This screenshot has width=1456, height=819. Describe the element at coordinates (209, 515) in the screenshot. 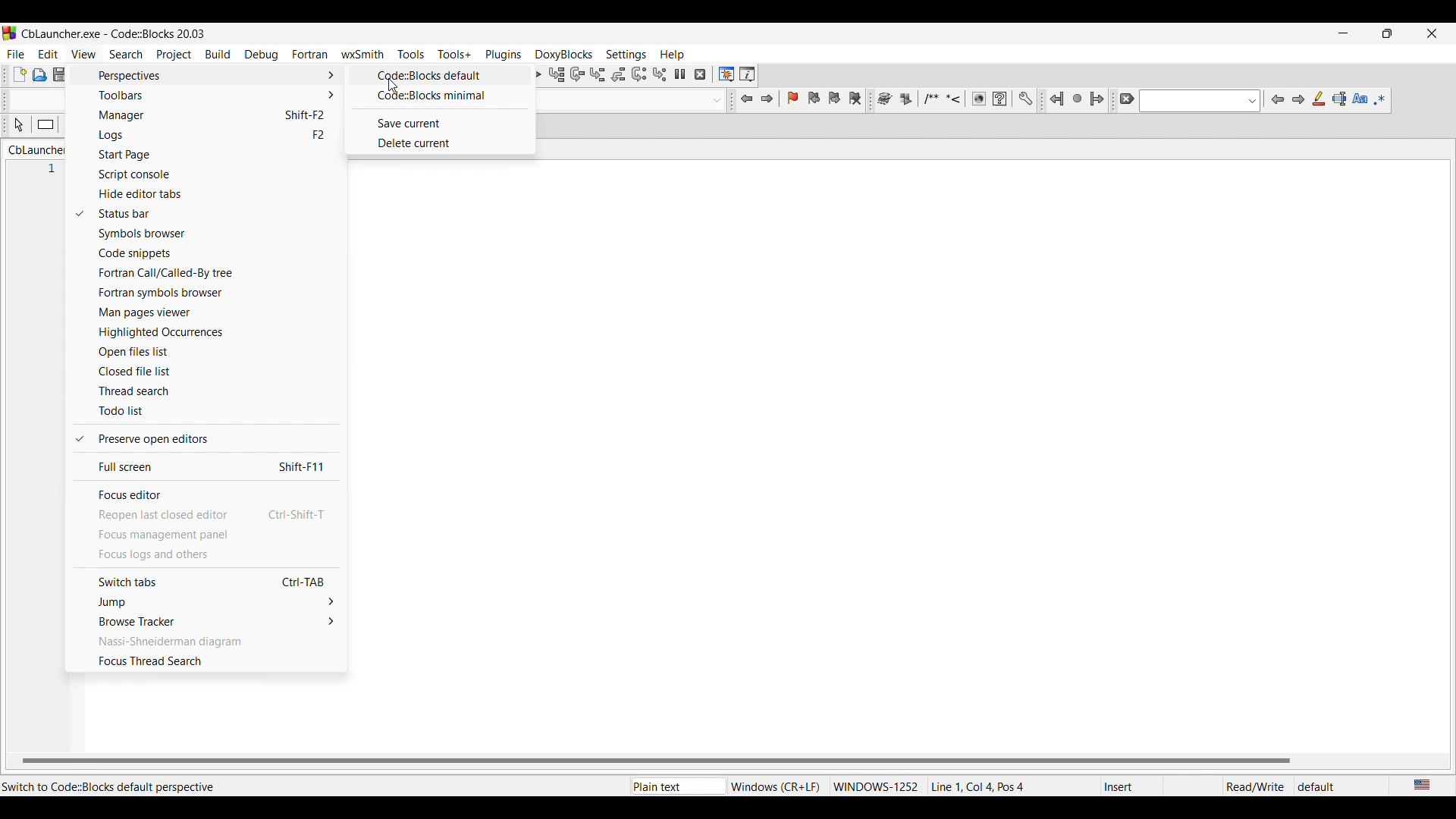

I see `Reopen last closed editor` at that location.